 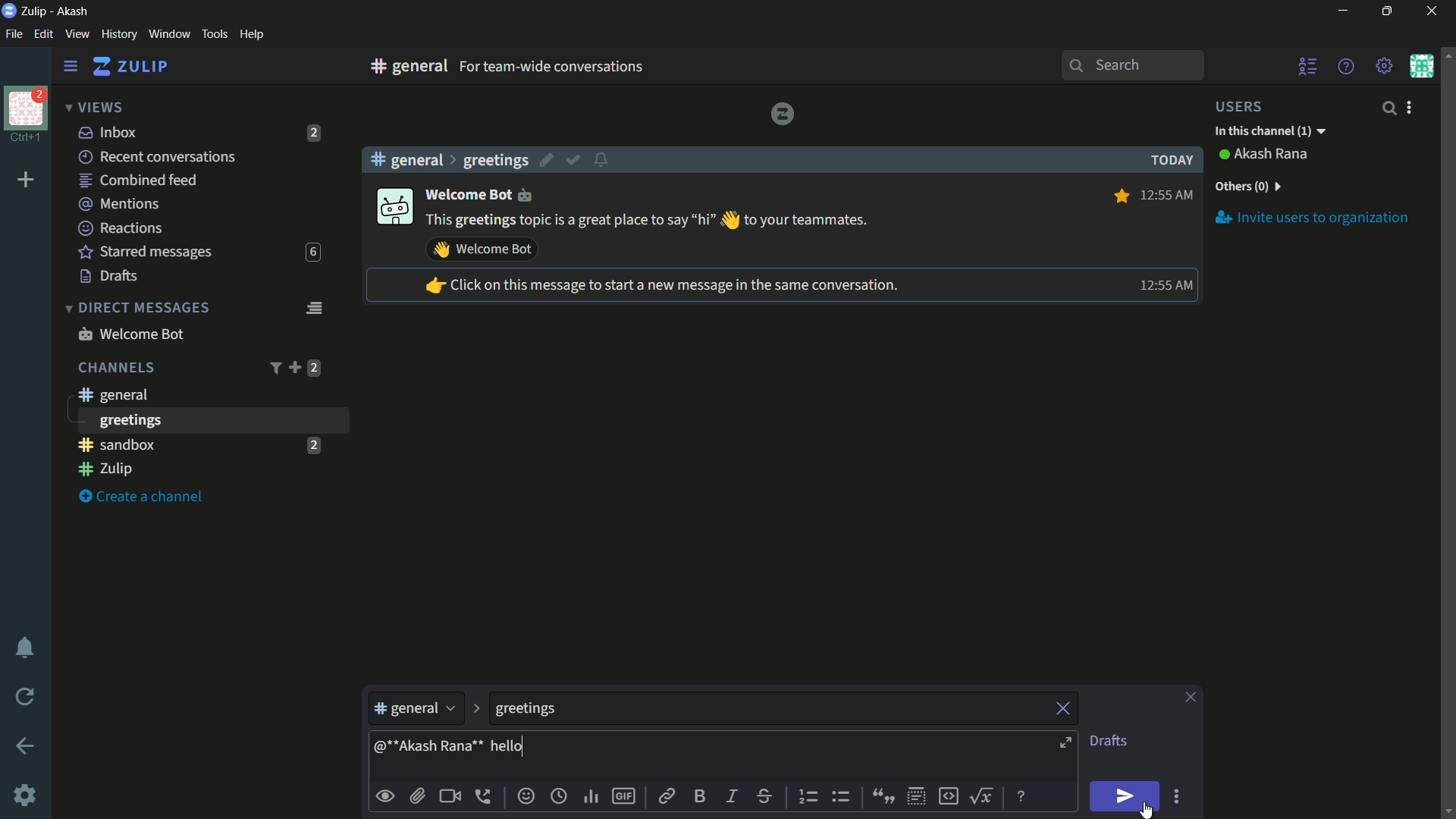 I want to click on Send wave emoji to welcome bot, so click(x=482, y=249).